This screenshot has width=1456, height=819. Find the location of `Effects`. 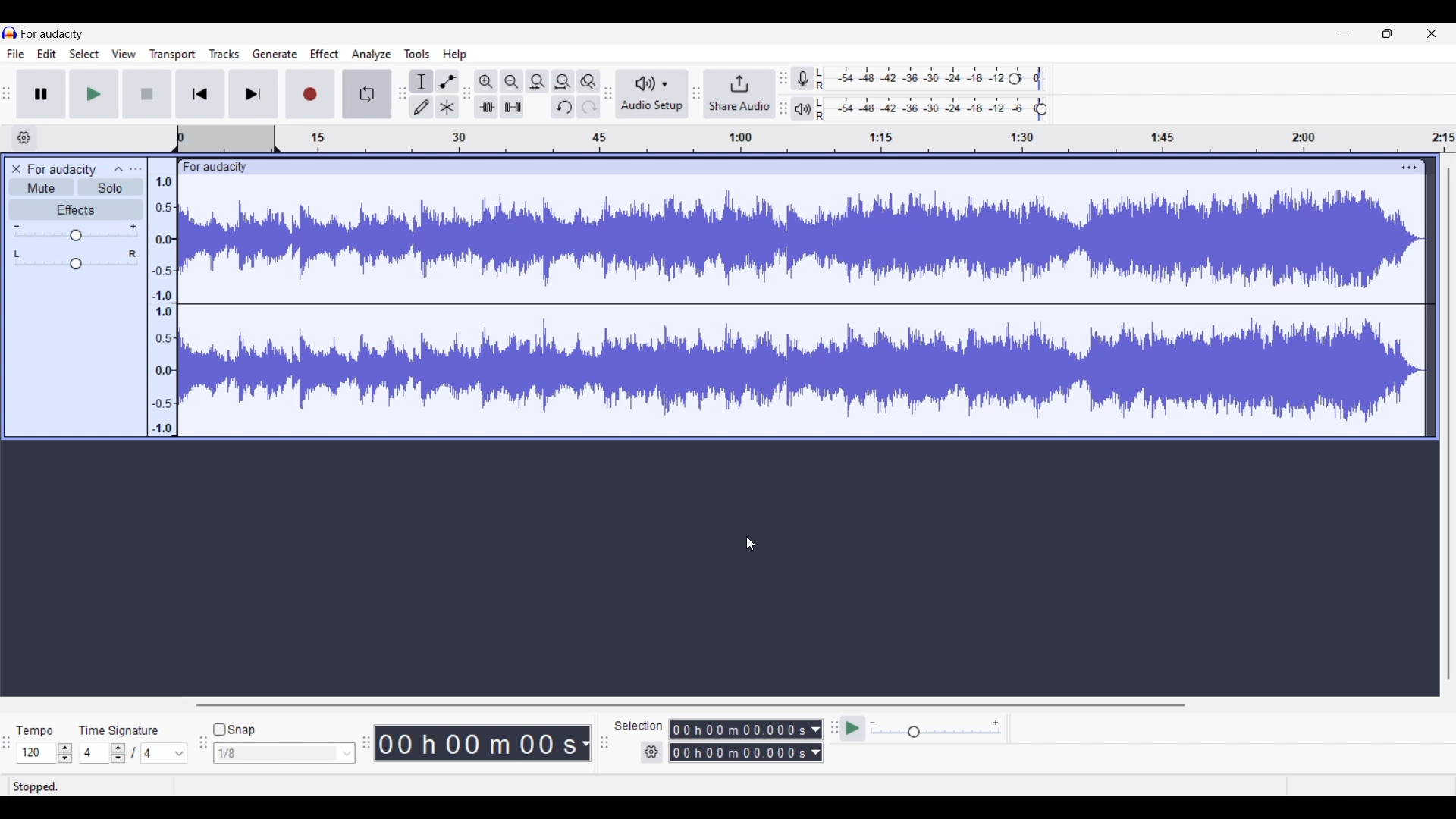

Effects is located at coordinates (76, 210).